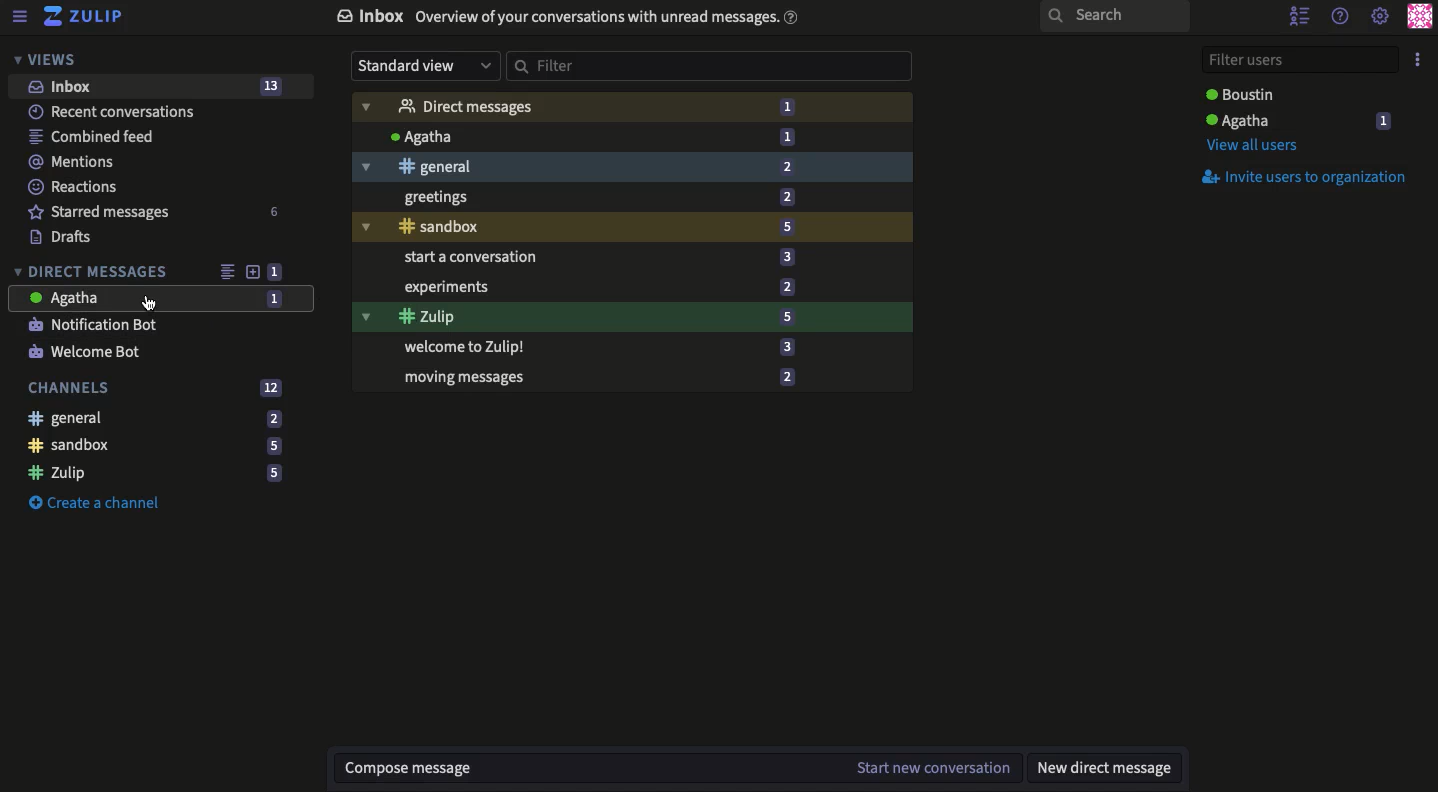 The image size is (1438, 792). Describe the element at coordinates (634, 317) in the screenshot. I see `Zulip` at that location.